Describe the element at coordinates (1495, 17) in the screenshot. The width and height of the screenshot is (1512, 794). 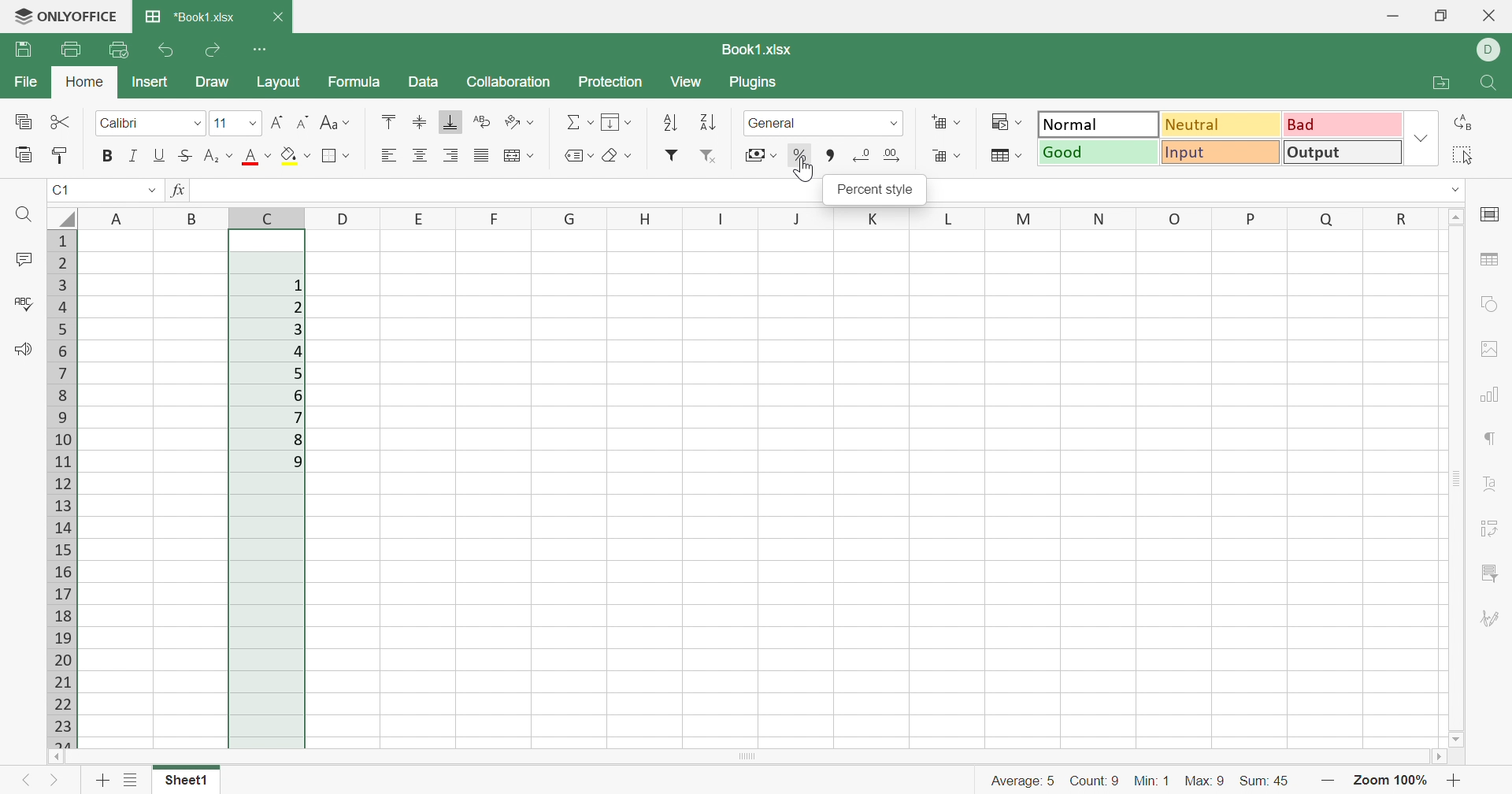
I see `Close` at that location.